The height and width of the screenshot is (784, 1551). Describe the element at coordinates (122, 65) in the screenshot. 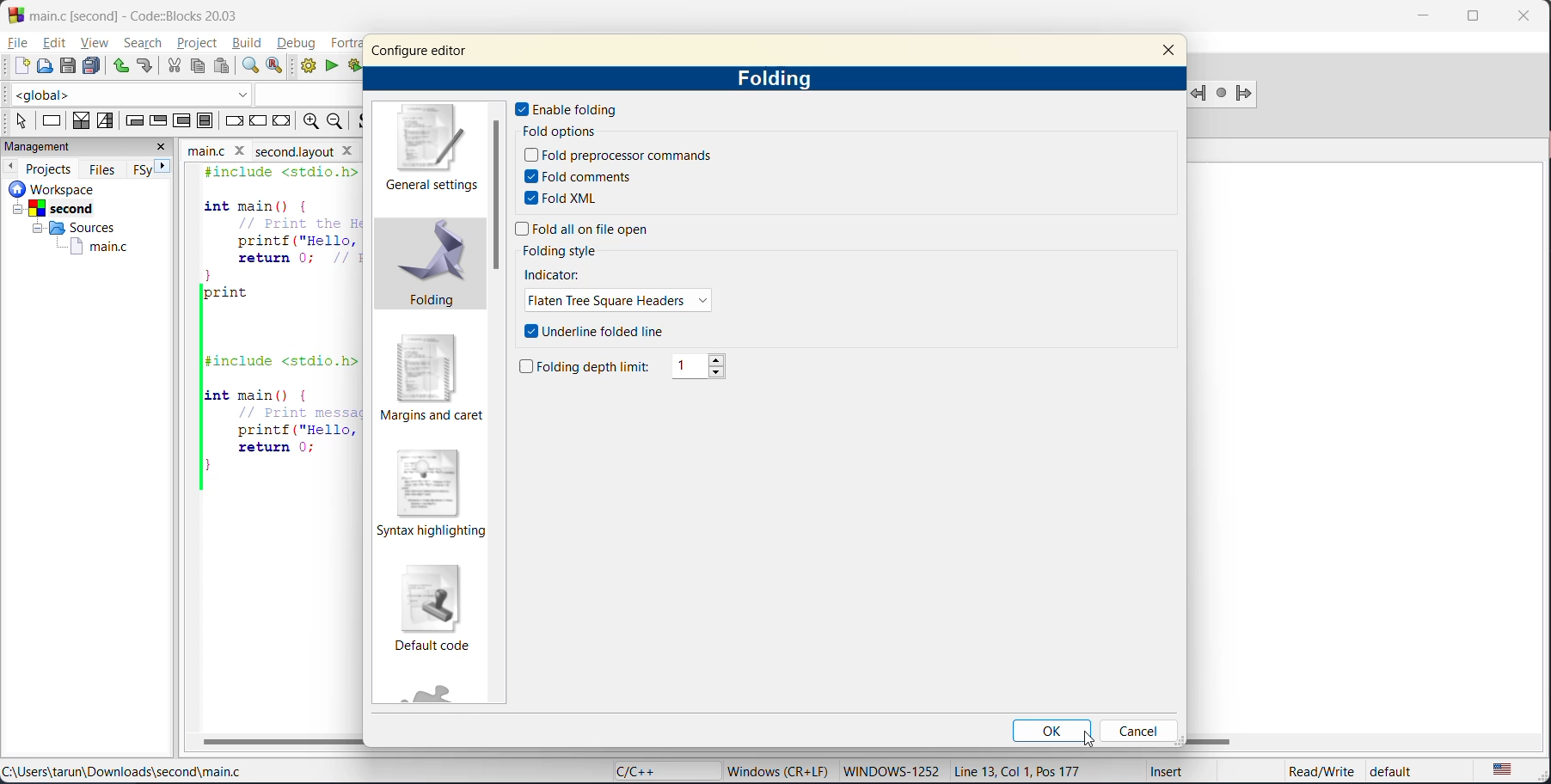

I see `undo` at that location.